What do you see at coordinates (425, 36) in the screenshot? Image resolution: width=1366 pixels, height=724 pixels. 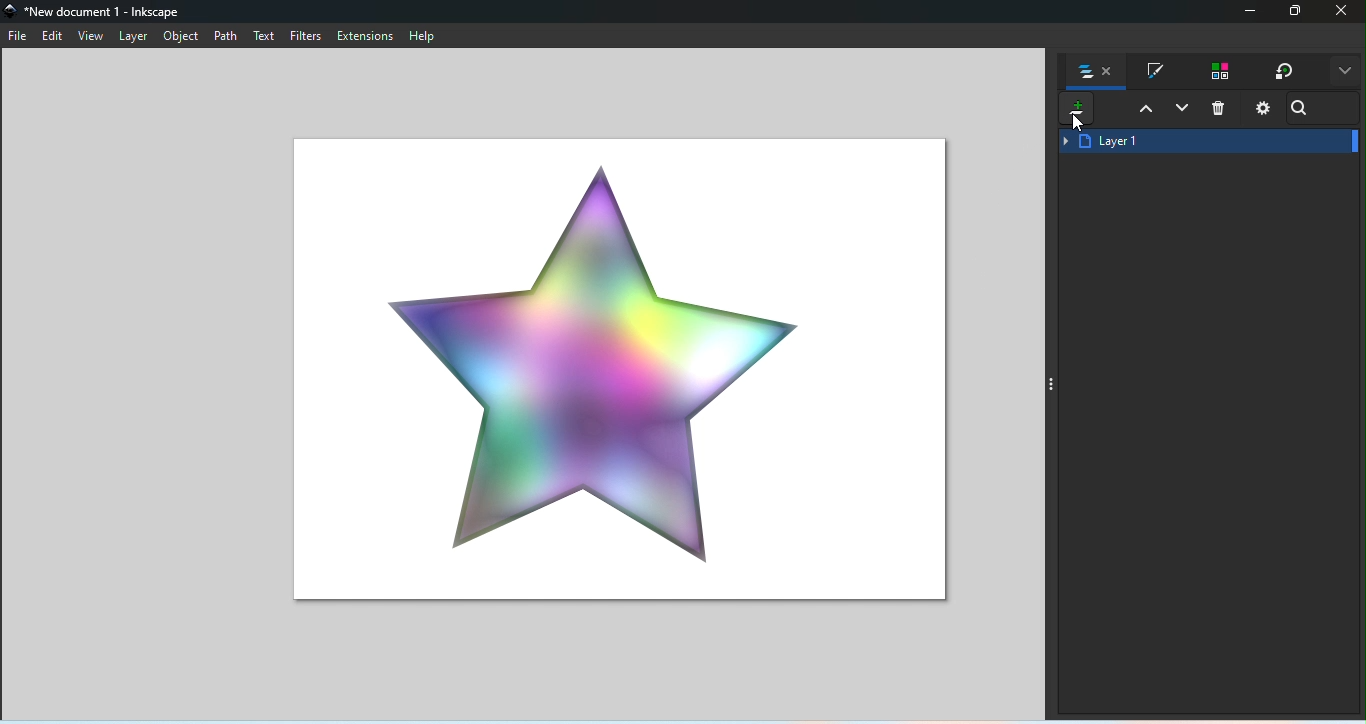 I see `Help` at bounding box center [425, 36].